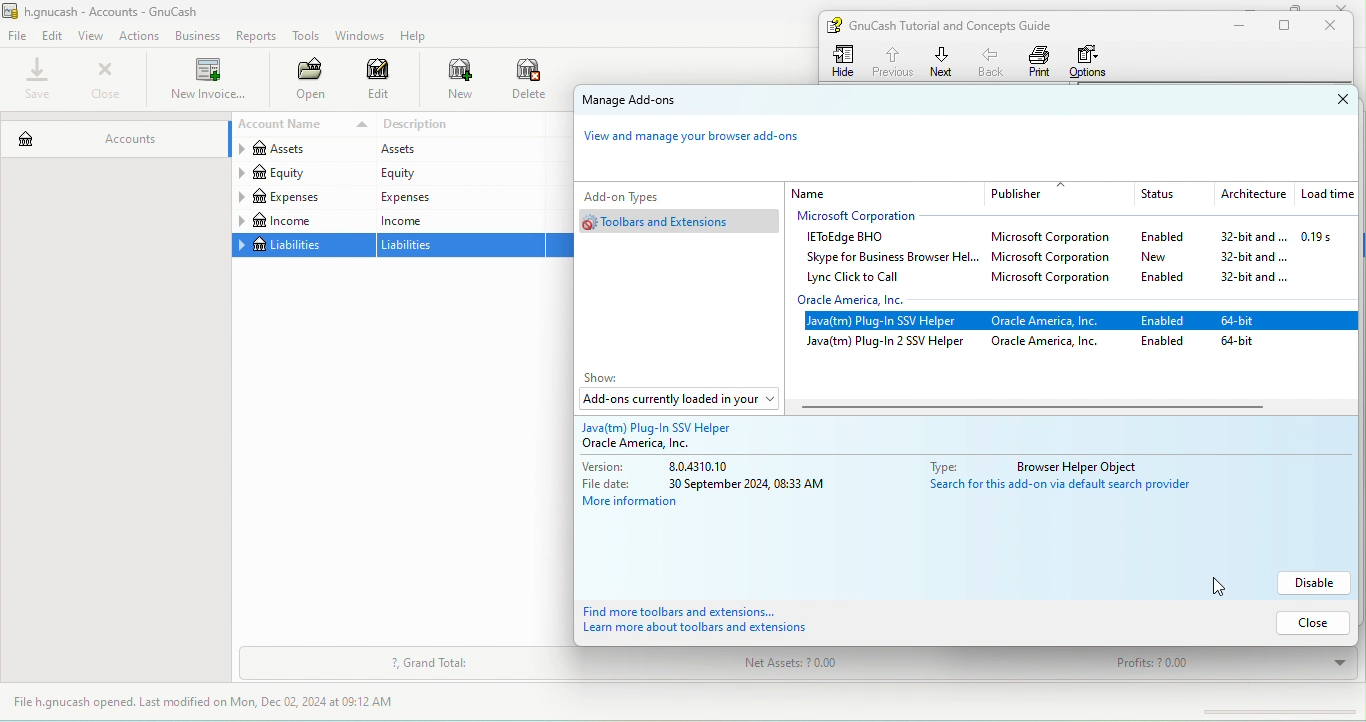  What do you see at coordinates (457, 196) in the screenshot?
I see `expeness` at bounding box center [457, 196].